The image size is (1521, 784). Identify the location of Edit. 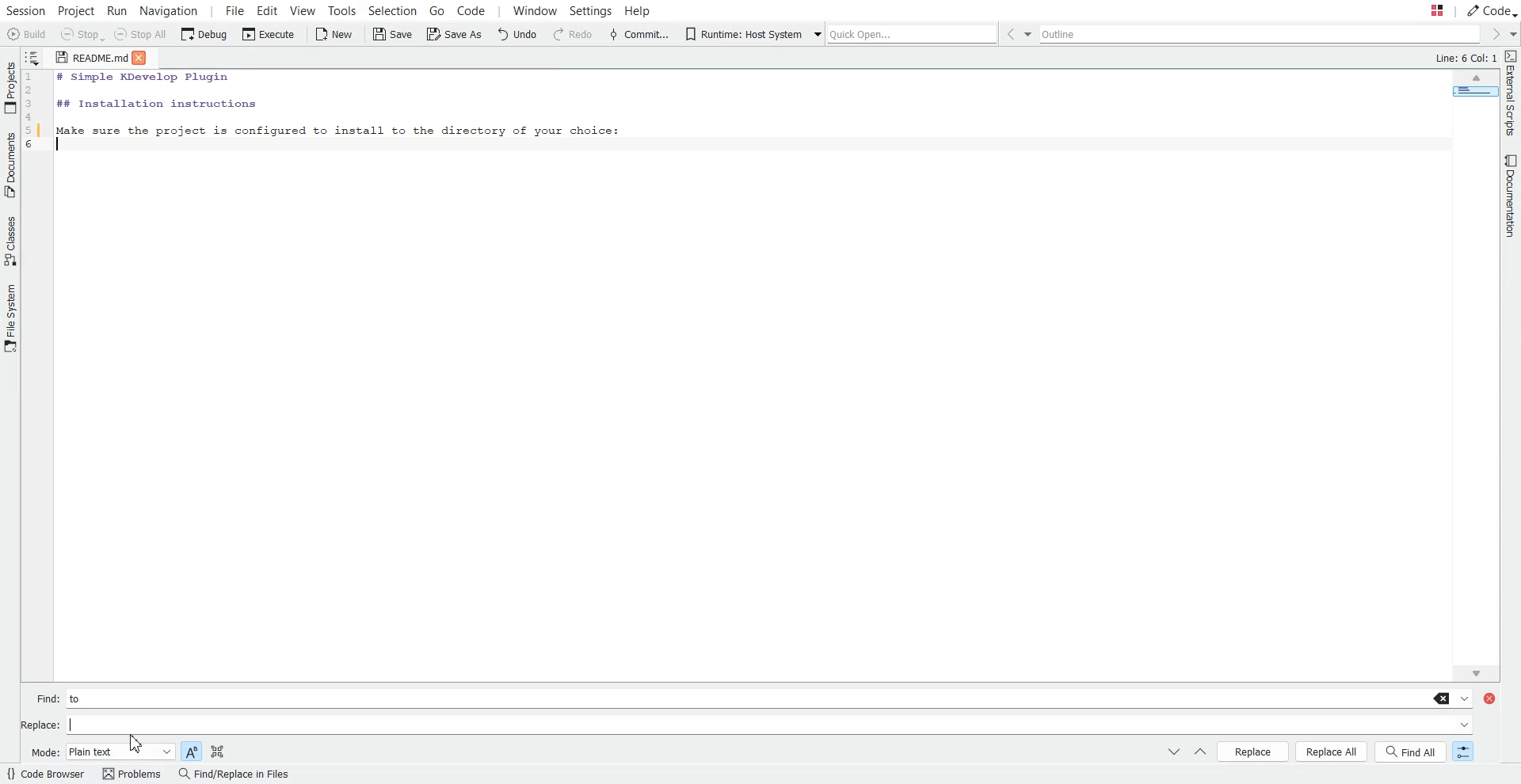
(268, 10).